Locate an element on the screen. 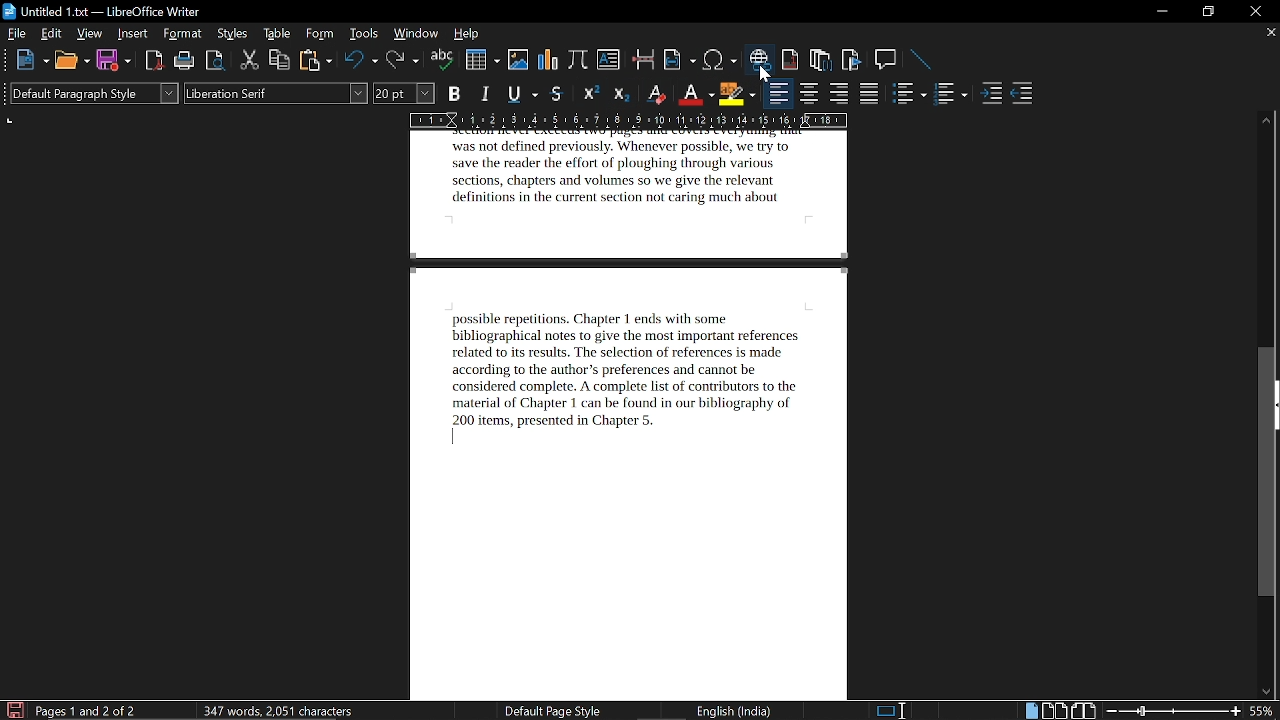 Image resolution: width=1280 pixels, height=720 pixels. increase indent is located at coordinates (991, 95).